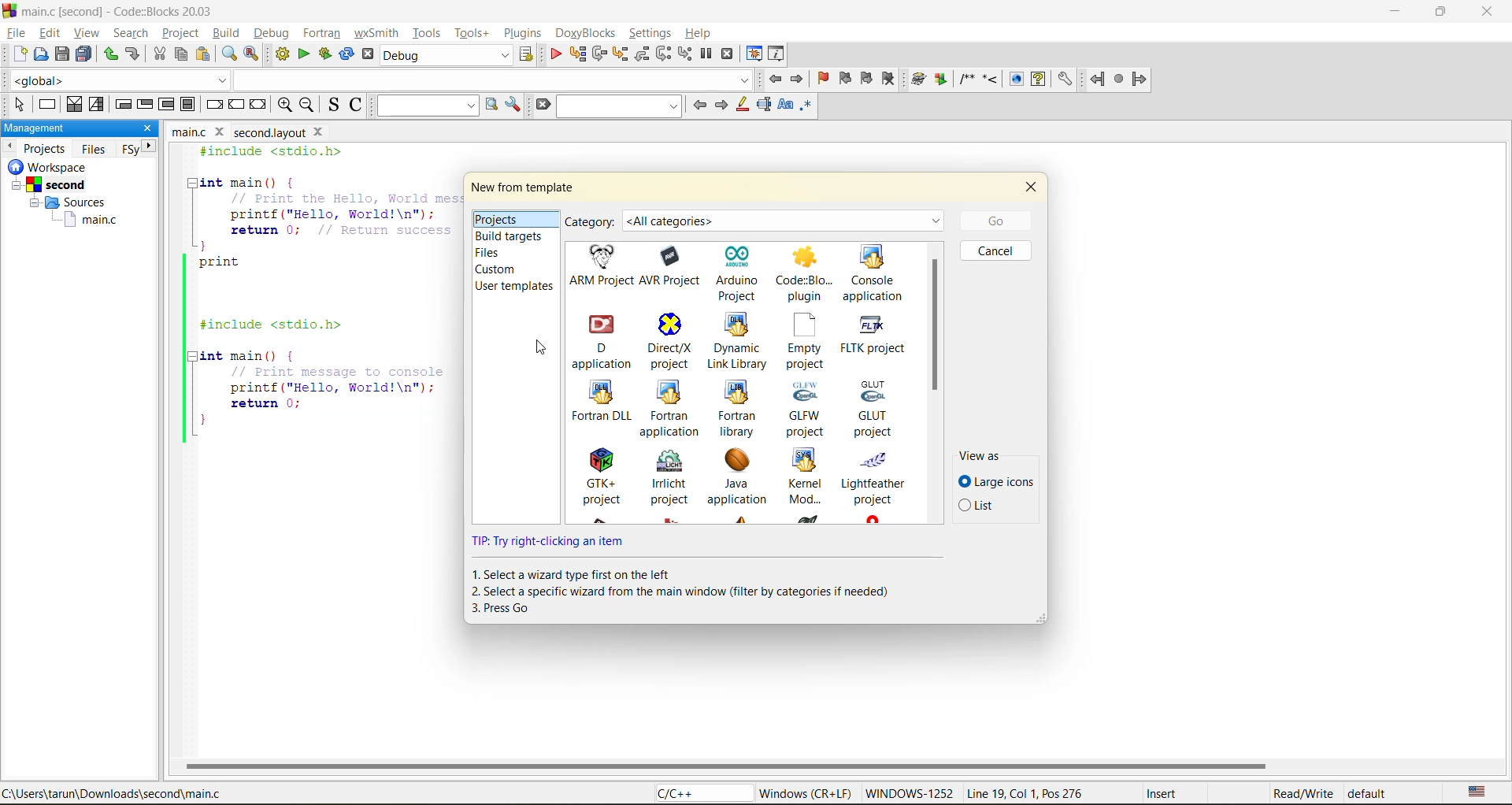 Image resolution: width=1512 pixels, height=805 pixels. What do you see at coordinates (934, 325) in the screenshot?
I see `vertical scroll bar` at bounding box center [934, 325].